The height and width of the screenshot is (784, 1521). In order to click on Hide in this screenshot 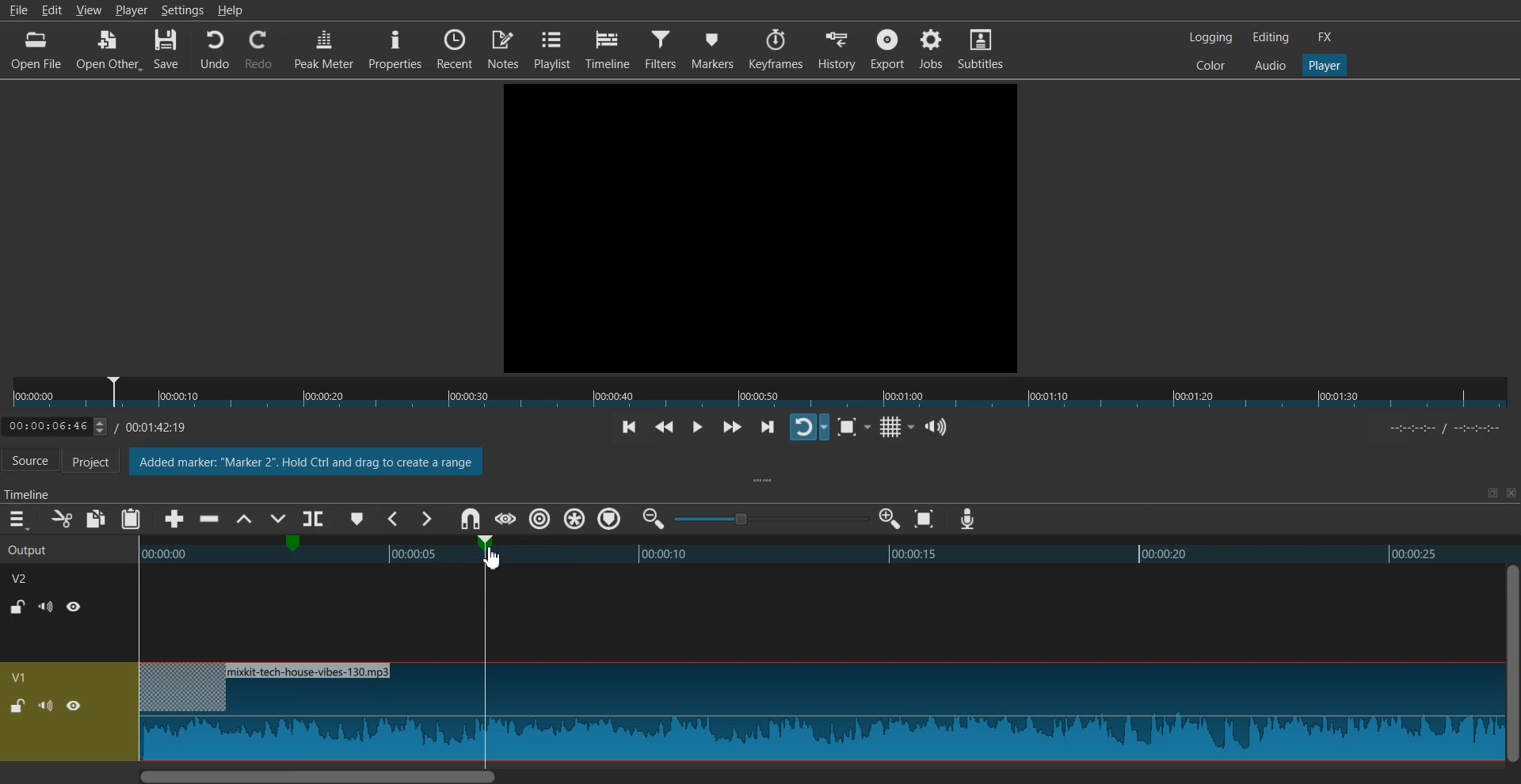, I will do `click(74, 706)`.